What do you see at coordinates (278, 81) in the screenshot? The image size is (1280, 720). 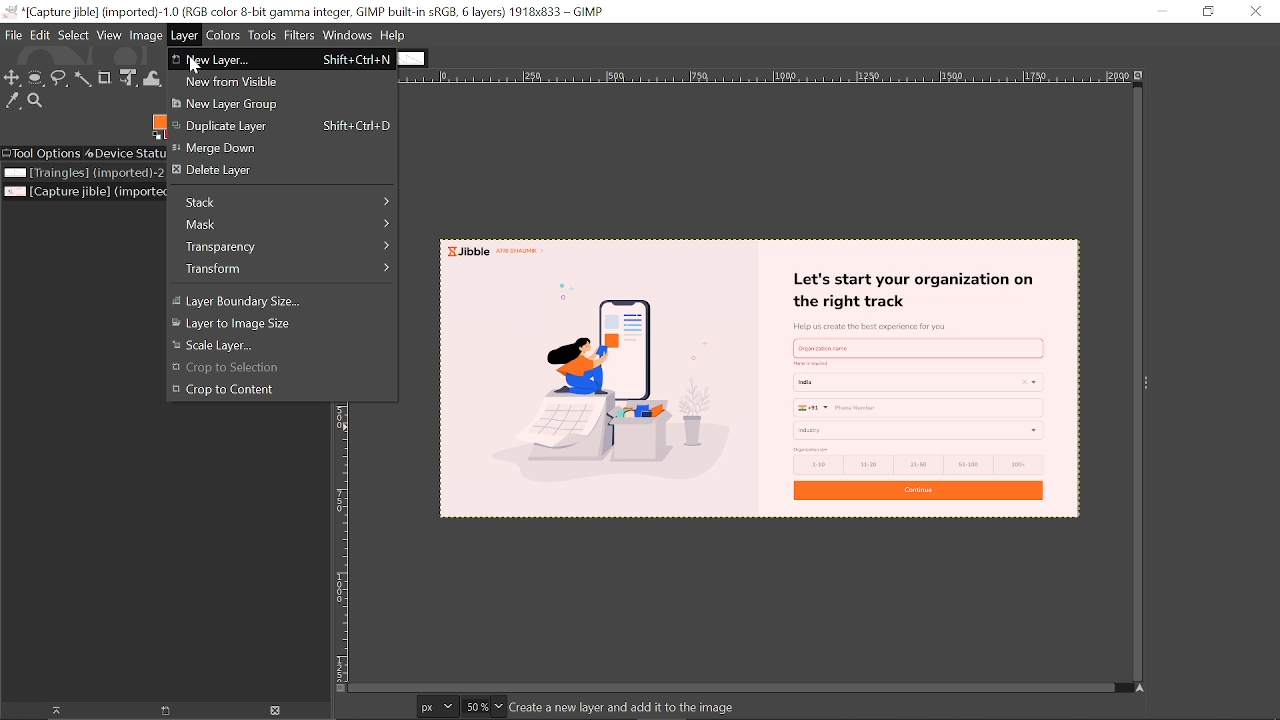 I see `New layer from visible` at bounding box center [278, 81].